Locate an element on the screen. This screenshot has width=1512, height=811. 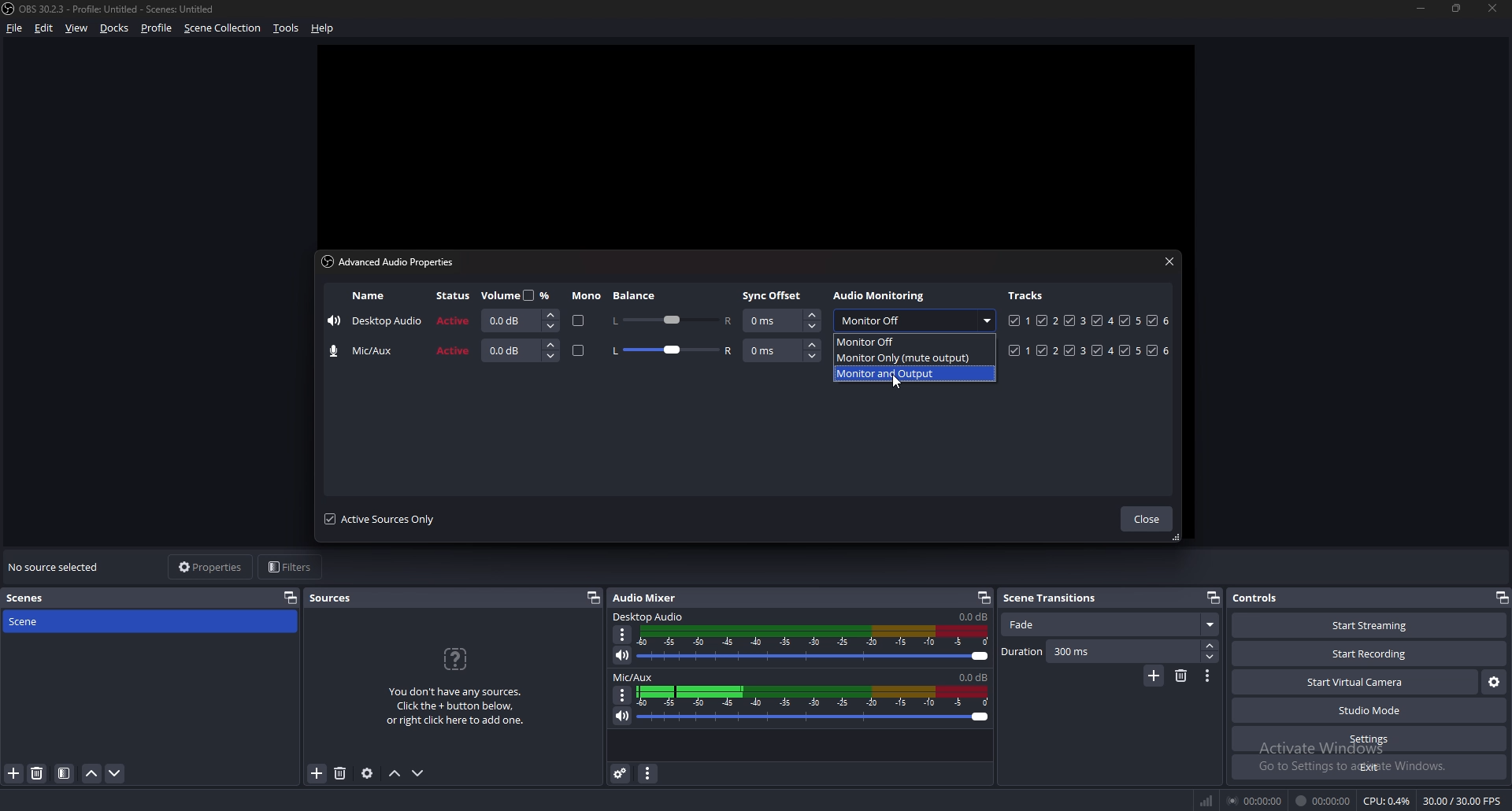
filter is located at coordinates (64, 774).